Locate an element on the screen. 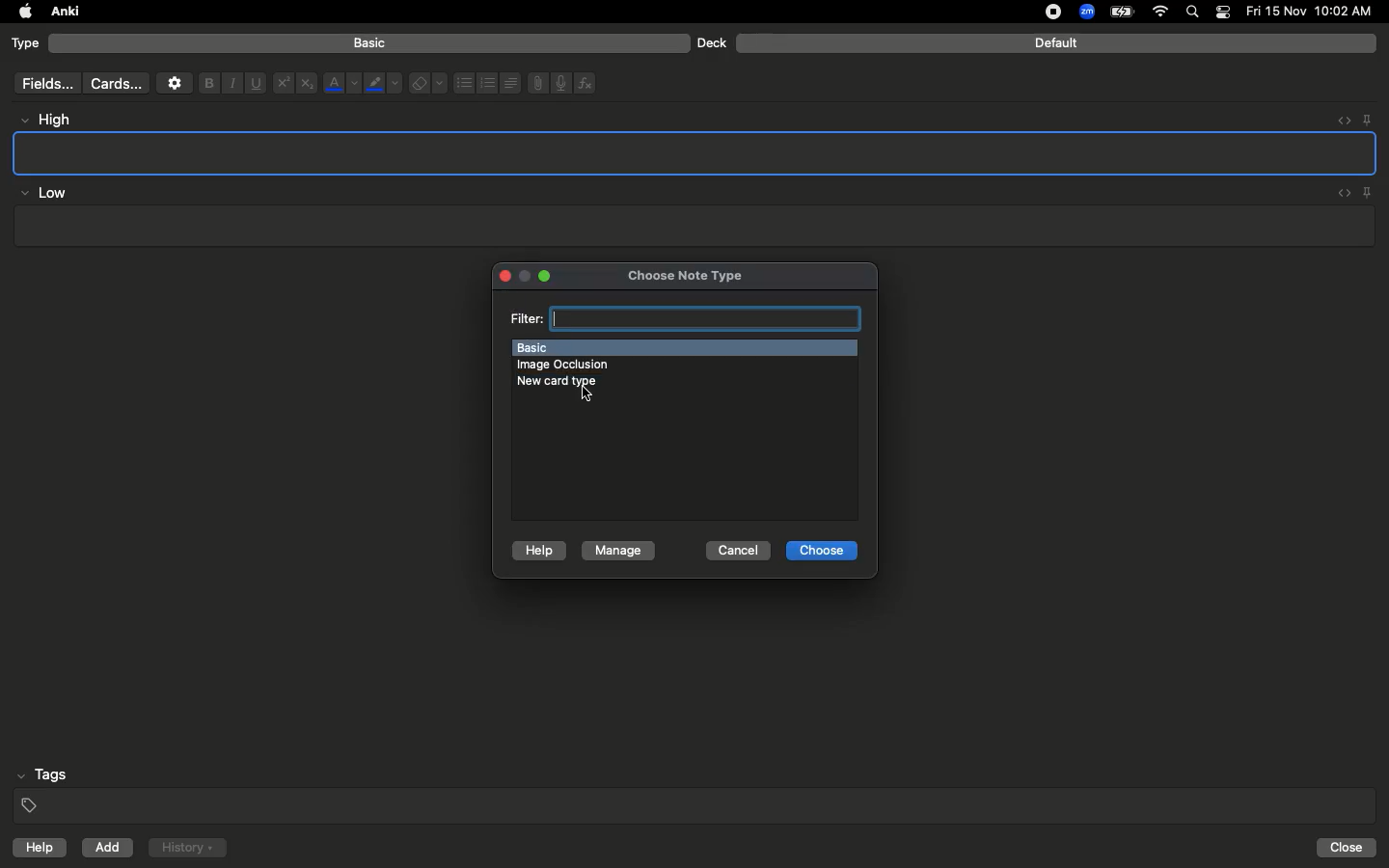 This screenshot has height=868, width=1389. Basic  is located at coordinates (683, 346).